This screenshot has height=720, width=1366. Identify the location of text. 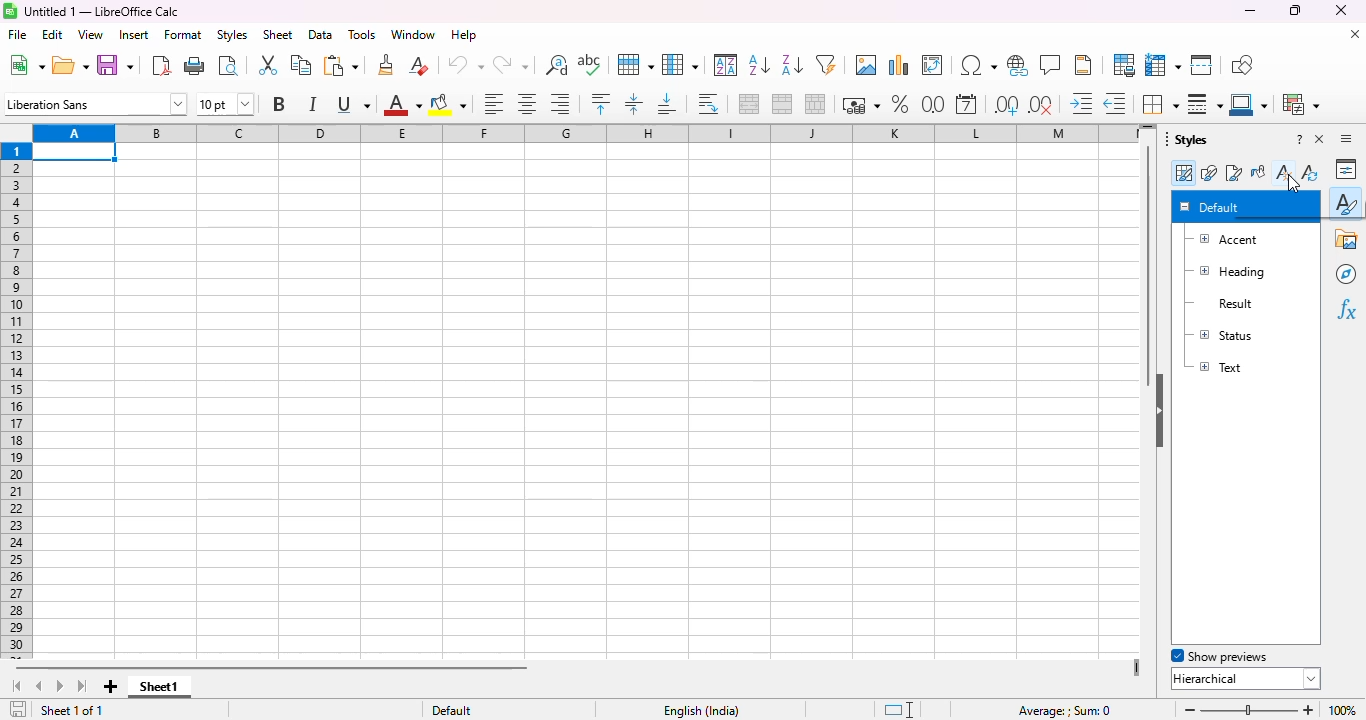
(1217, 366).